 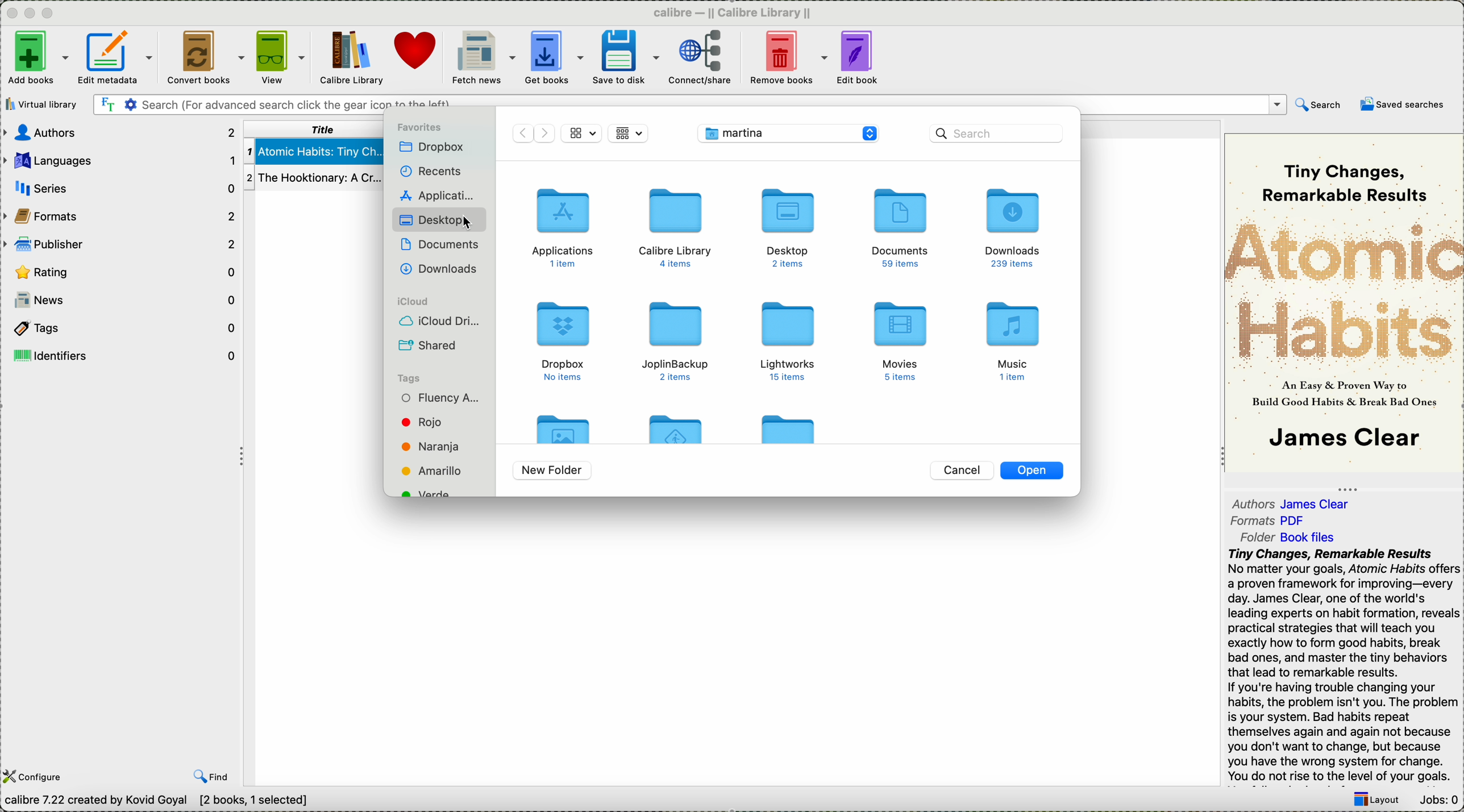 I want to click on save to disk, so click(x=623, y=57).